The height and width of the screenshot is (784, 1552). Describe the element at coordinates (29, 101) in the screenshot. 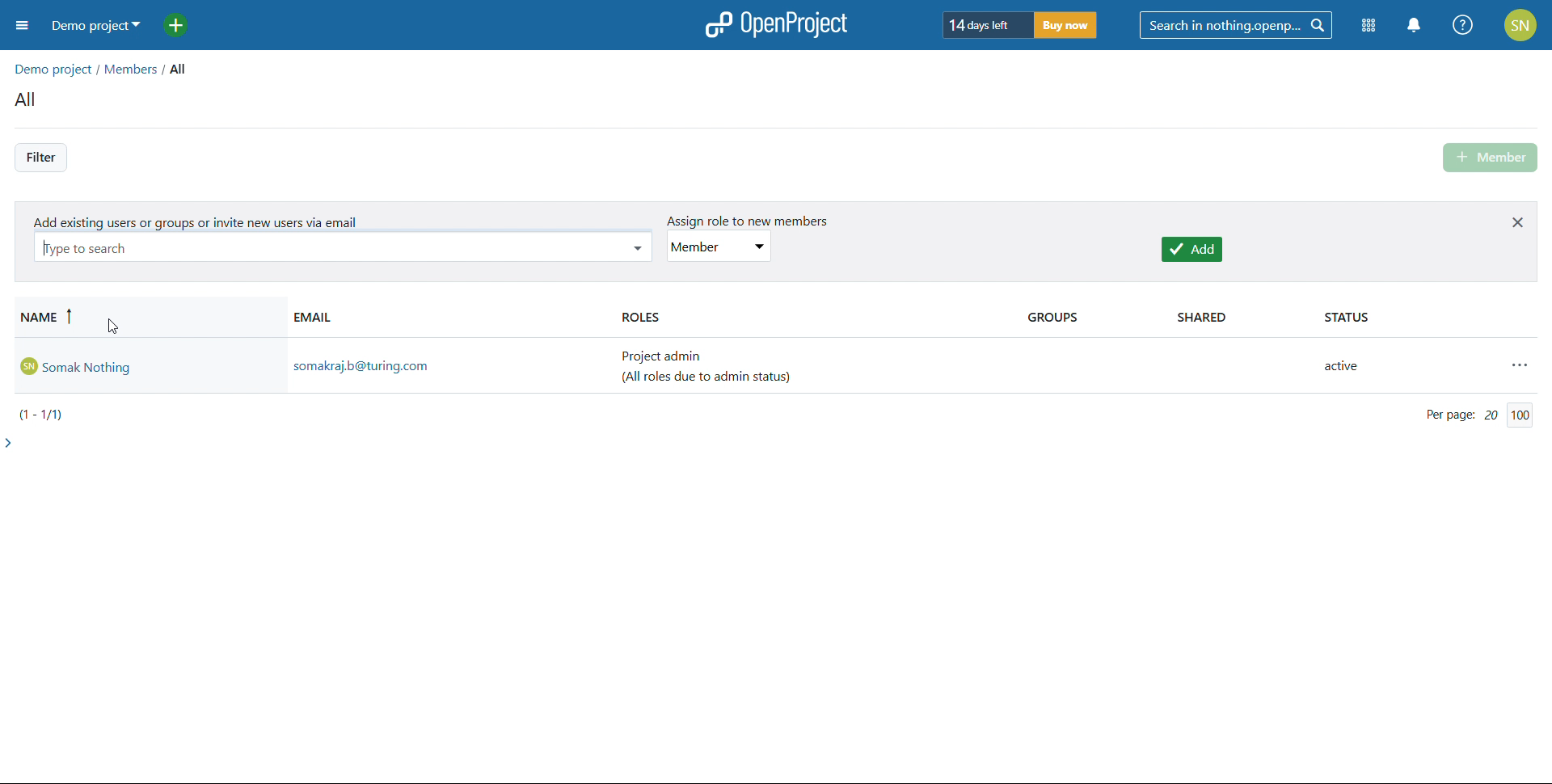

I see `all` at that location.